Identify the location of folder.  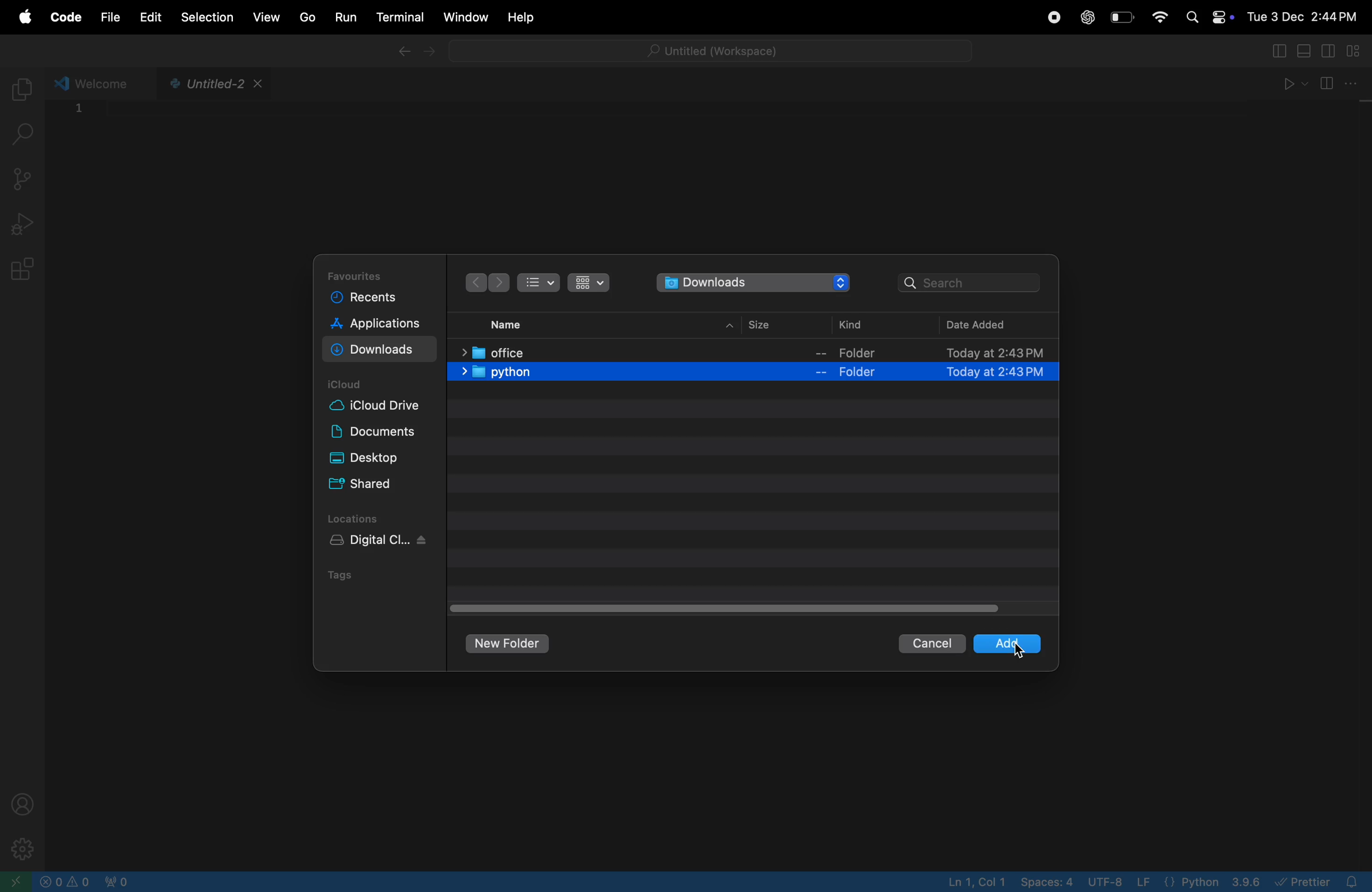
(851, 354).